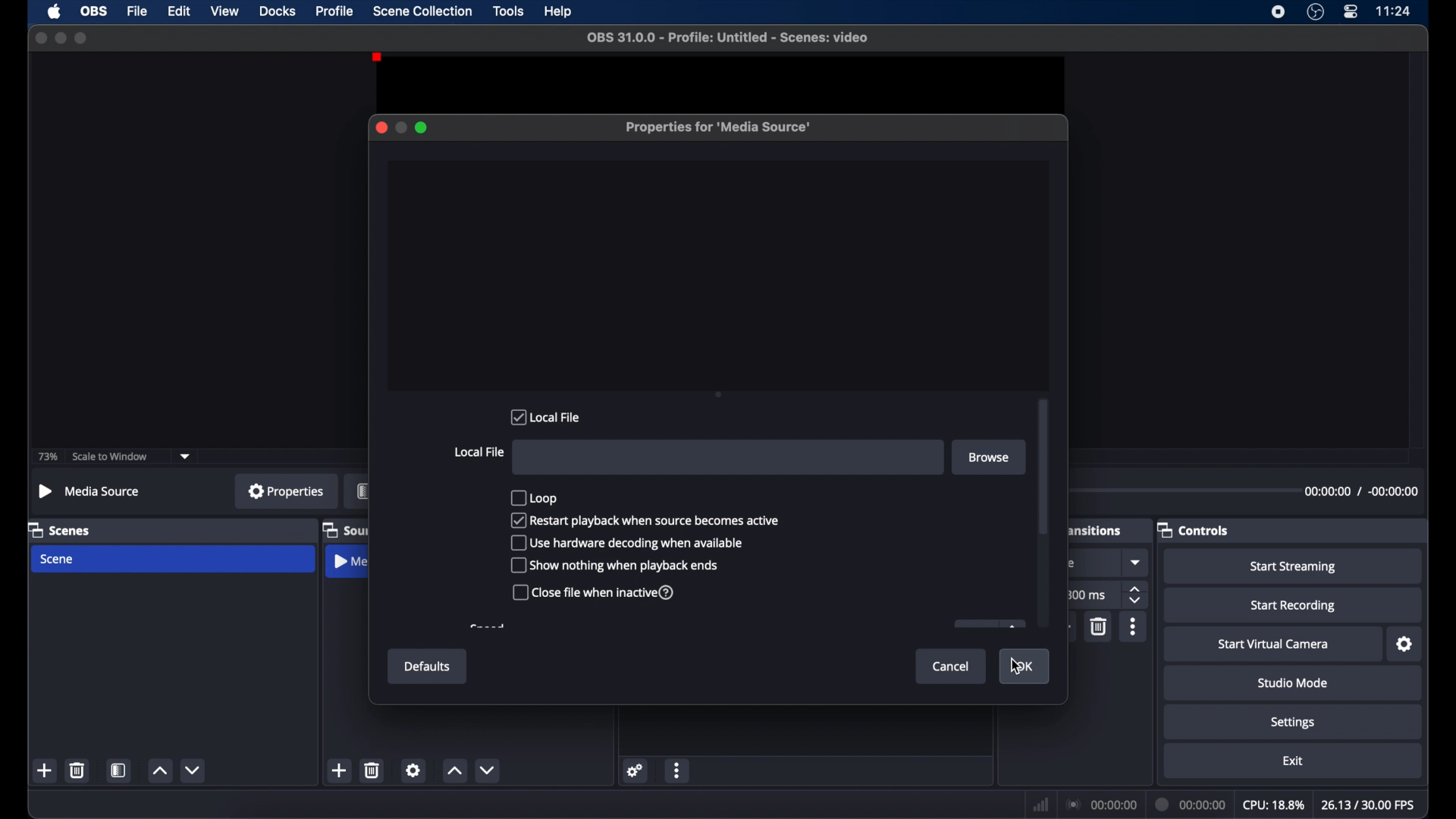 Image resolution: width=1456 pixels, height=819 pixels. What do you see at coordinates (336, 11) in the screenshot?
I see `profile` at bounding box center [336, 11].